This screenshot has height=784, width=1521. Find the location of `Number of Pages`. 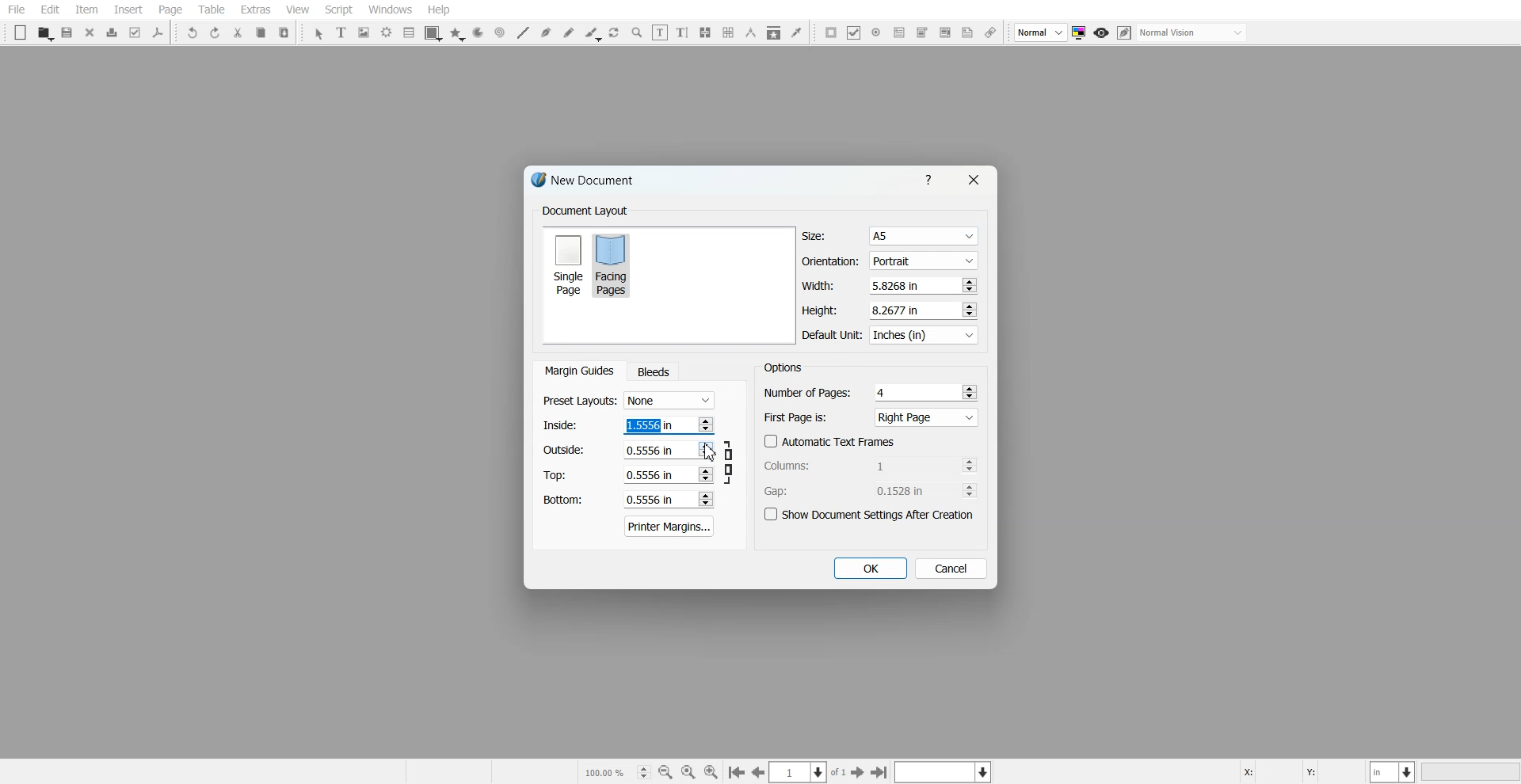

Number of Pages is located at coordinates (871, 392).